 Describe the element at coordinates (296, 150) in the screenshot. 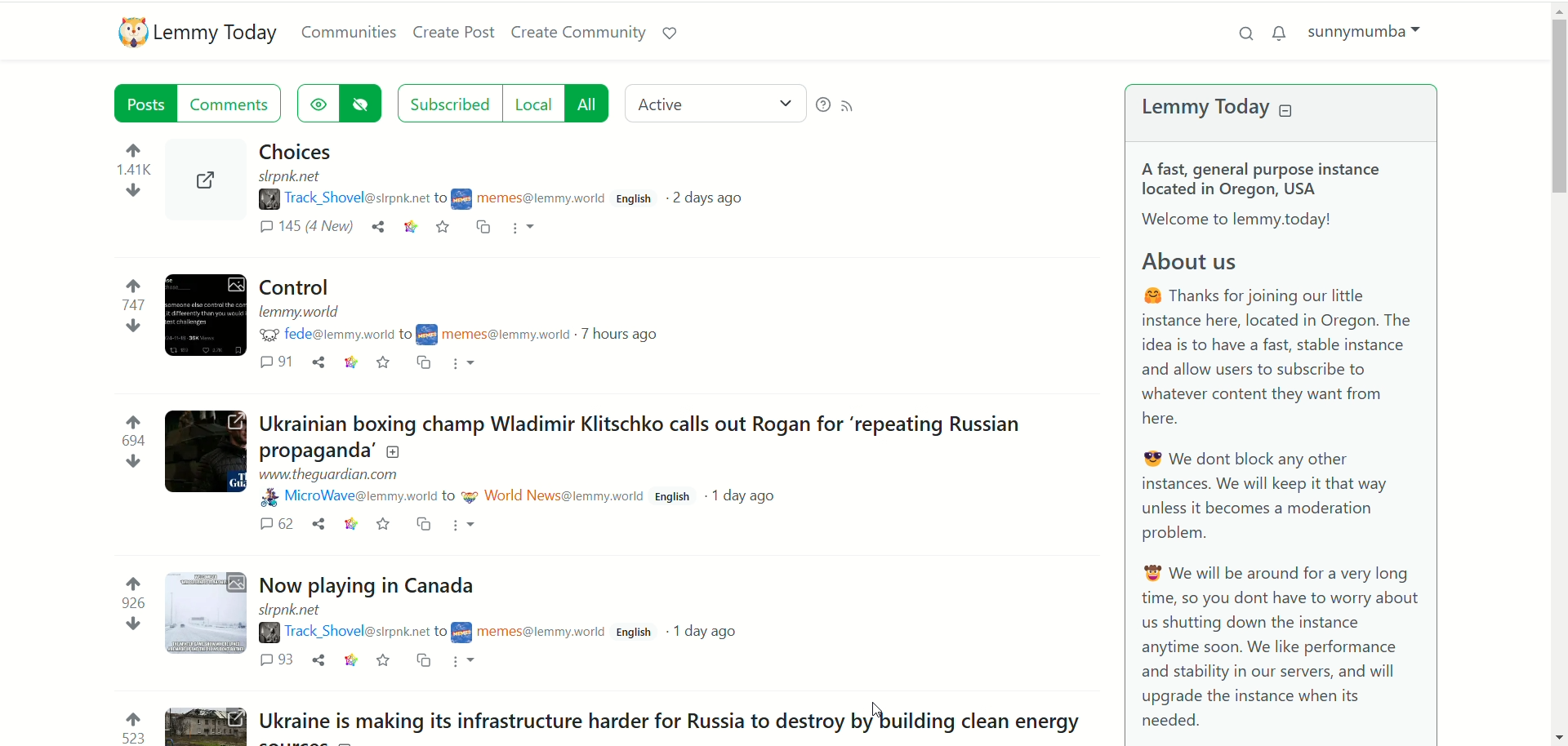

I see `Post on "Choices"` at that location.